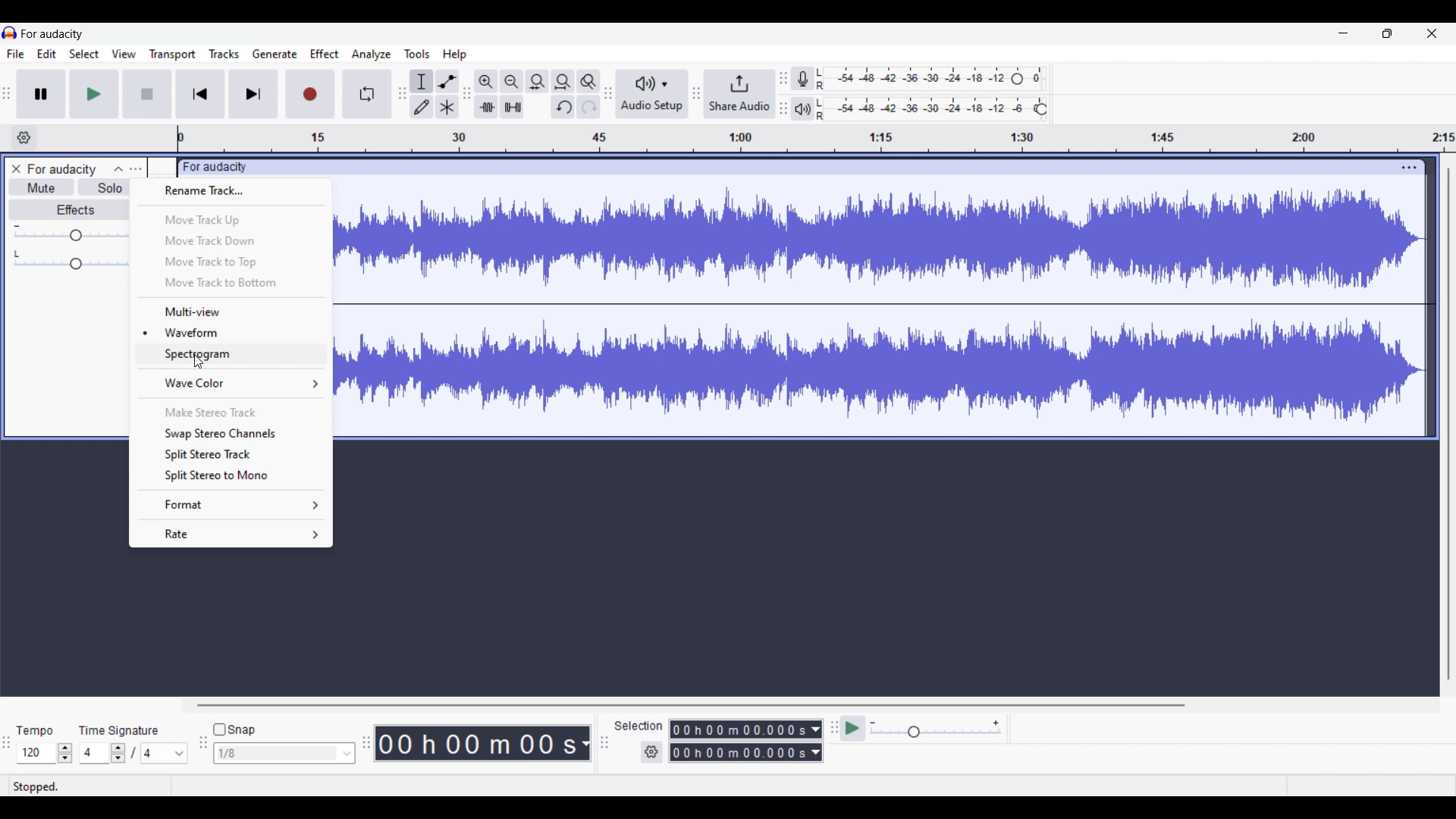 The image size is (1456, 819). What do you see at coordinates (45, 753) in the screenshot?
I see `Tempo settings` at bounding box center [45, 753].